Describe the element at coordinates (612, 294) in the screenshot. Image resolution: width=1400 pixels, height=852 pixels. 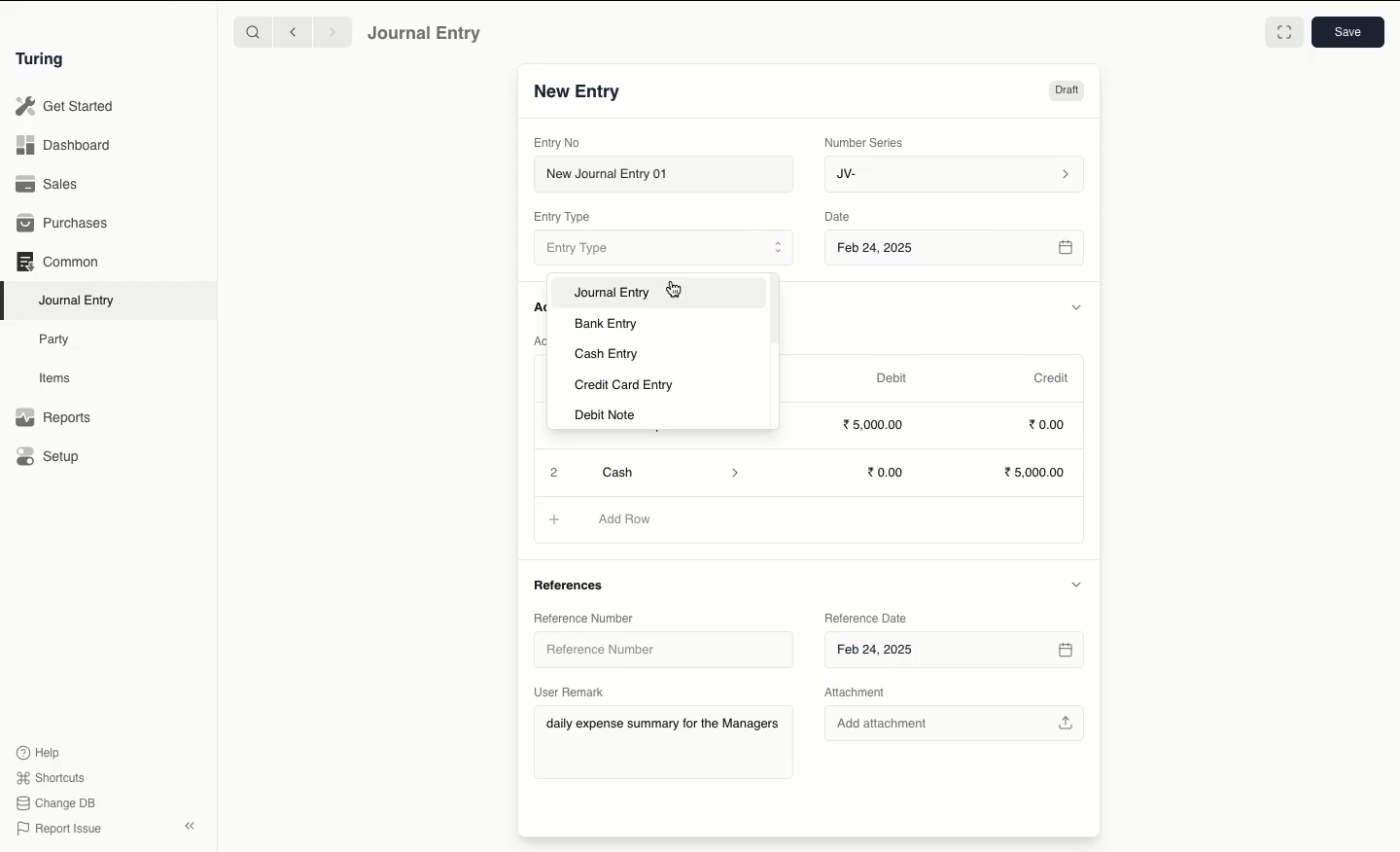
I see `Journal Entry` at that location.